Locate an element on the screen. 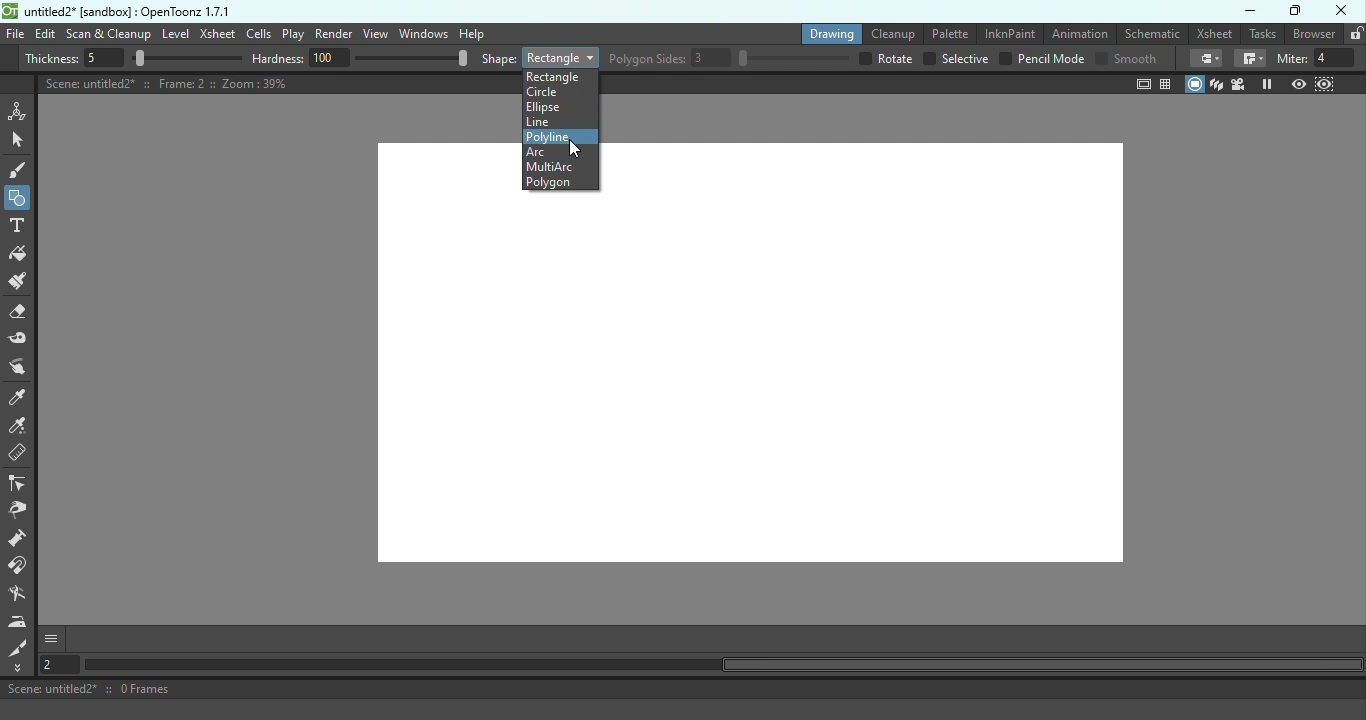 The width and height of the screenshot is (1366, 720). Level is located at coordinates (175, 34).